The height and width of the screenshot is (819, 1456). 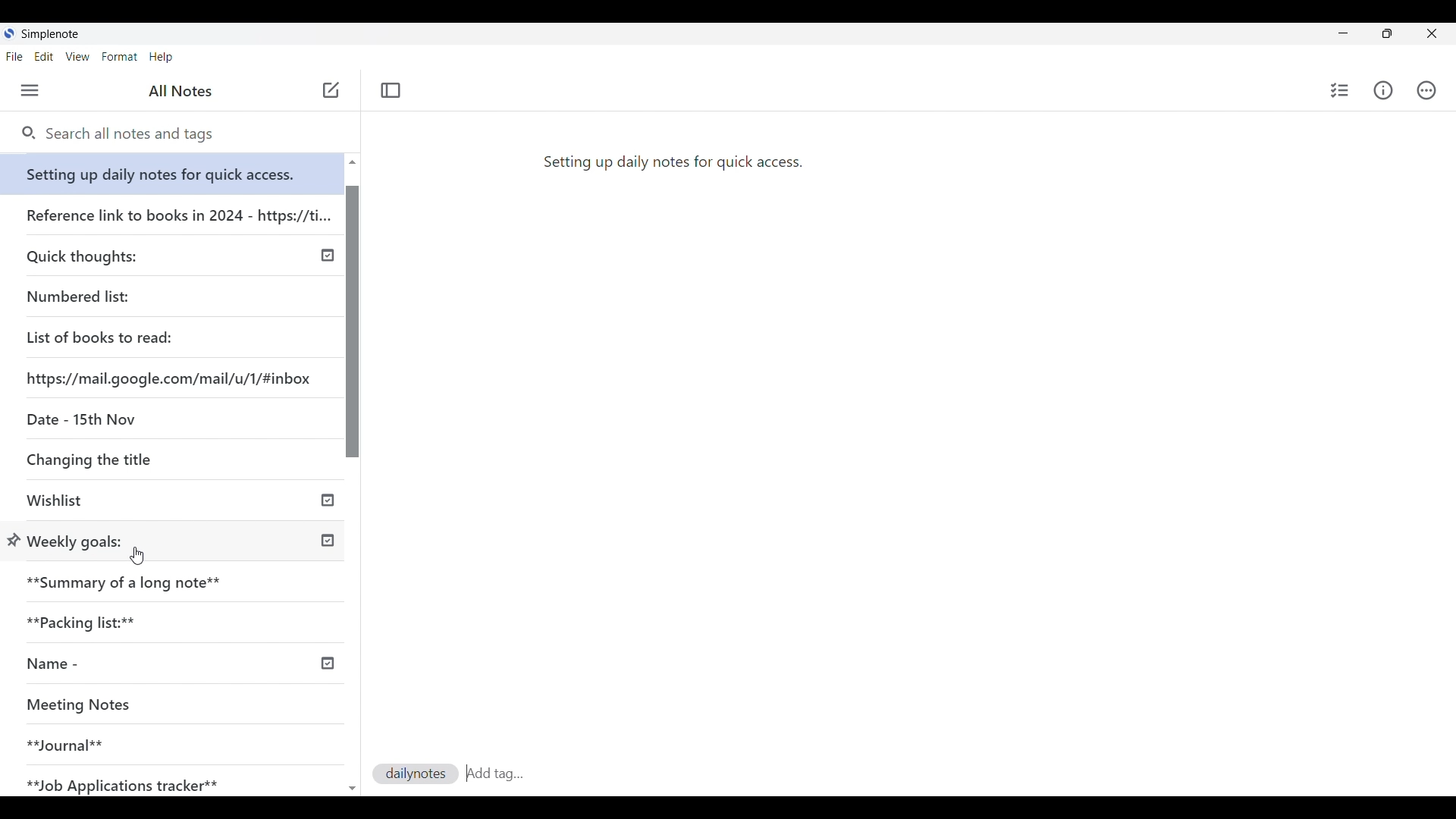 What do you see at coordinates (174, 170) in the screenshot?
I see `Setting up daily notes for quick access` at bounding box center [174, 170].